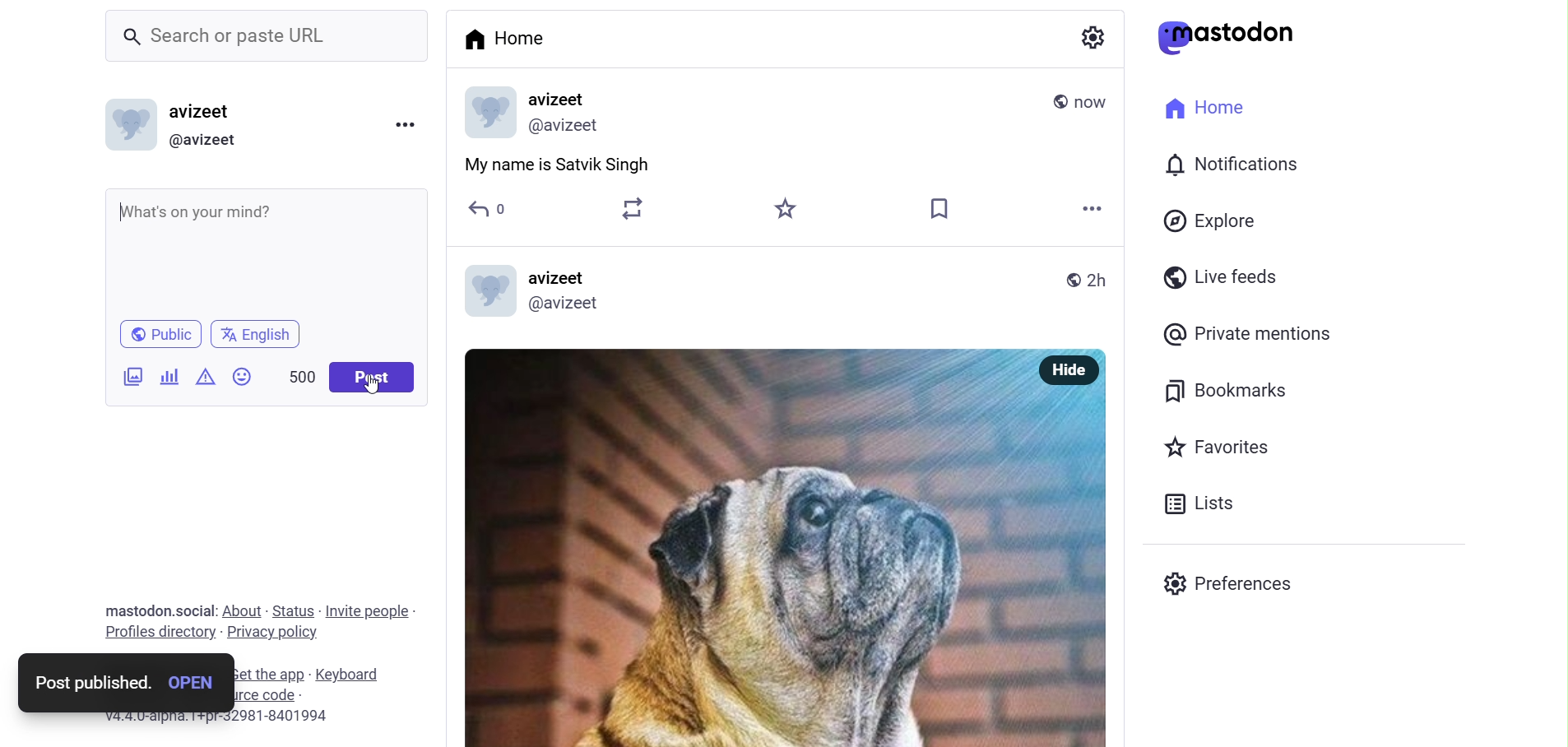 The height and width of the screenshot is (747, 1568). What do you see at coordinates (1093, 209) in the screenshot?
I see `more` at bounding box center [1093, 209].